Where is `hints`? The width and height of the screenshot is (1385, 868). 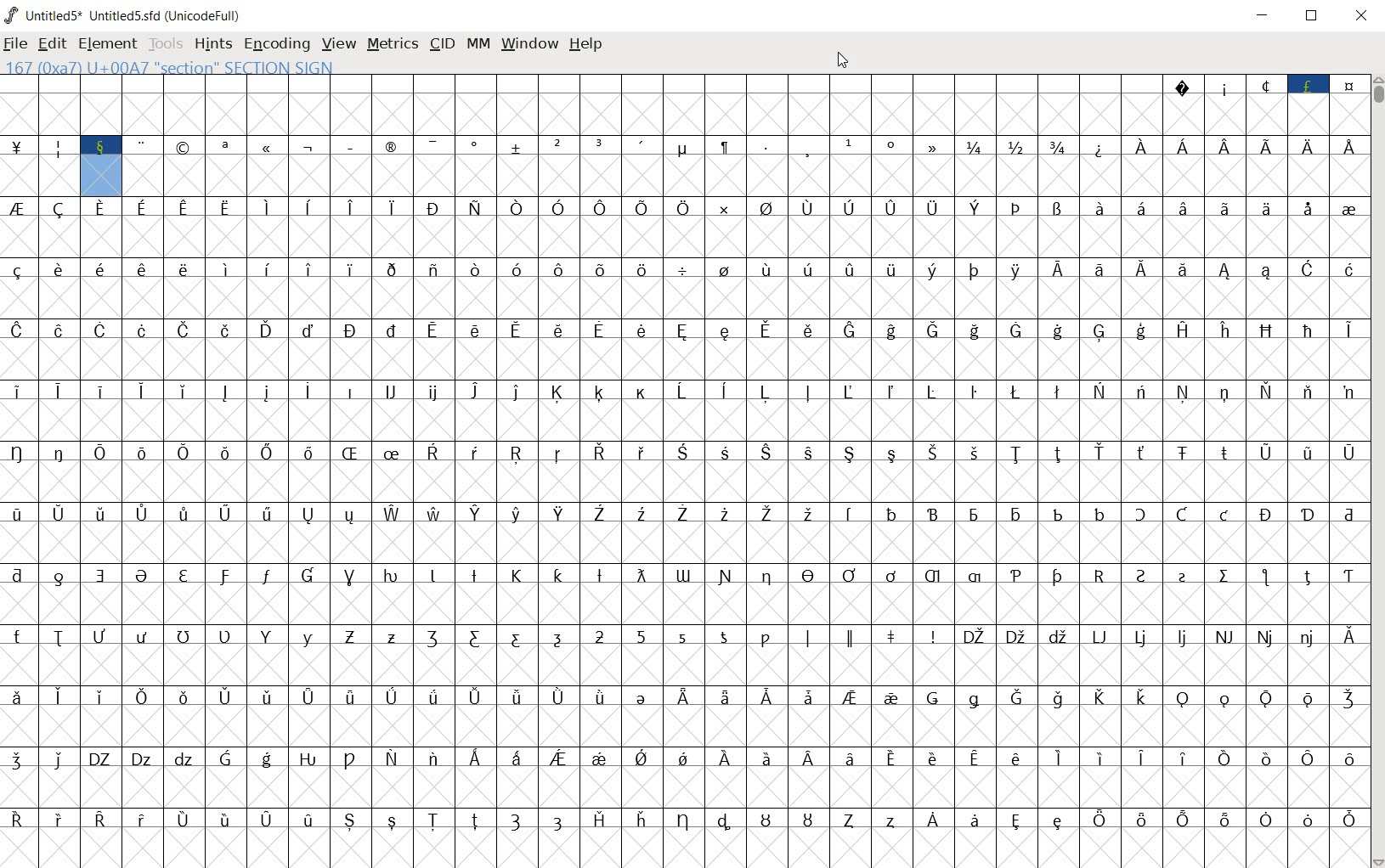 hints is located at coordinates (212, 45).